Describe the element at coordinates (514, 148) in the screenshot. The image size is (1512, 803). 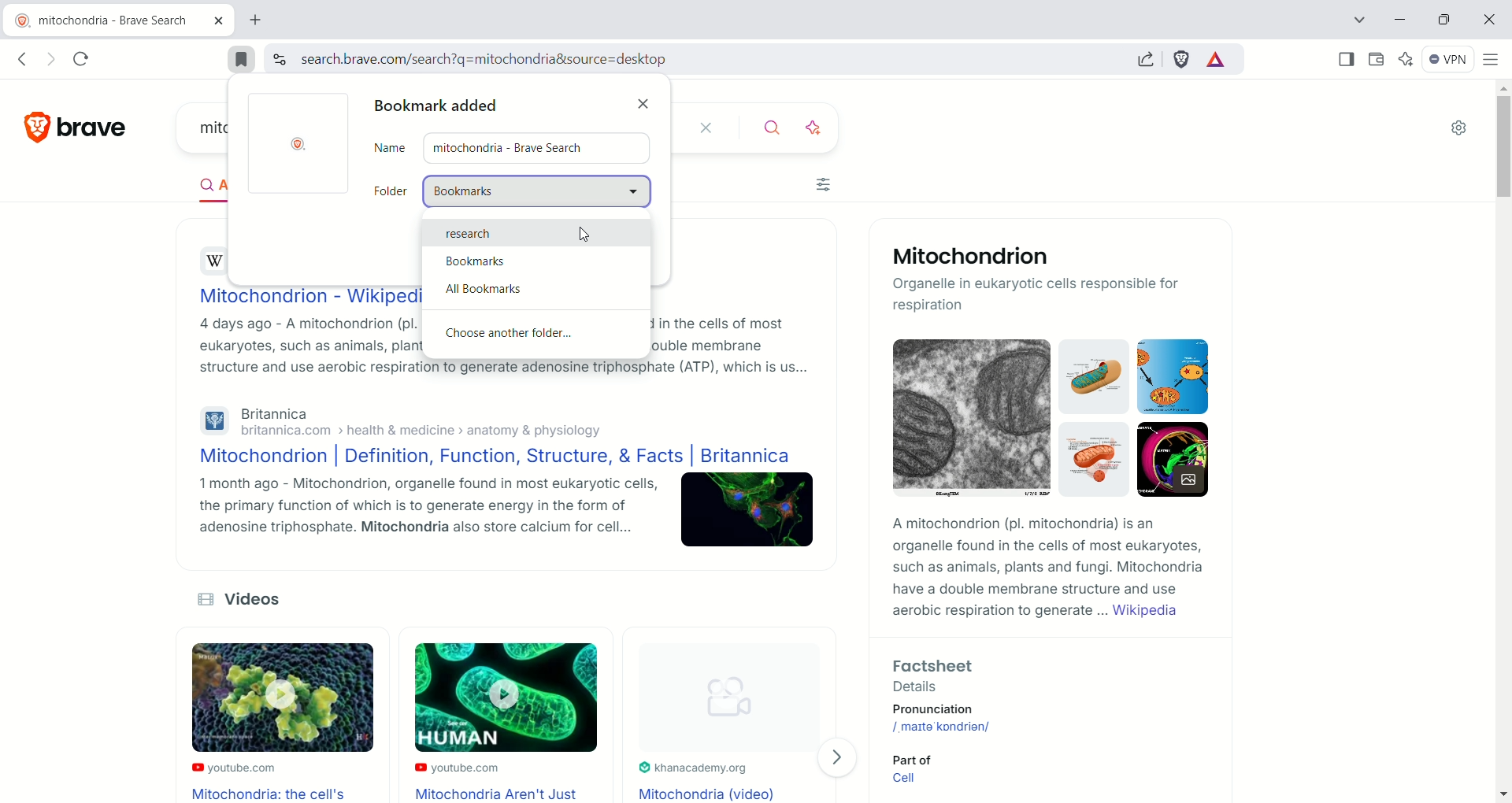
I see `name` at that location.